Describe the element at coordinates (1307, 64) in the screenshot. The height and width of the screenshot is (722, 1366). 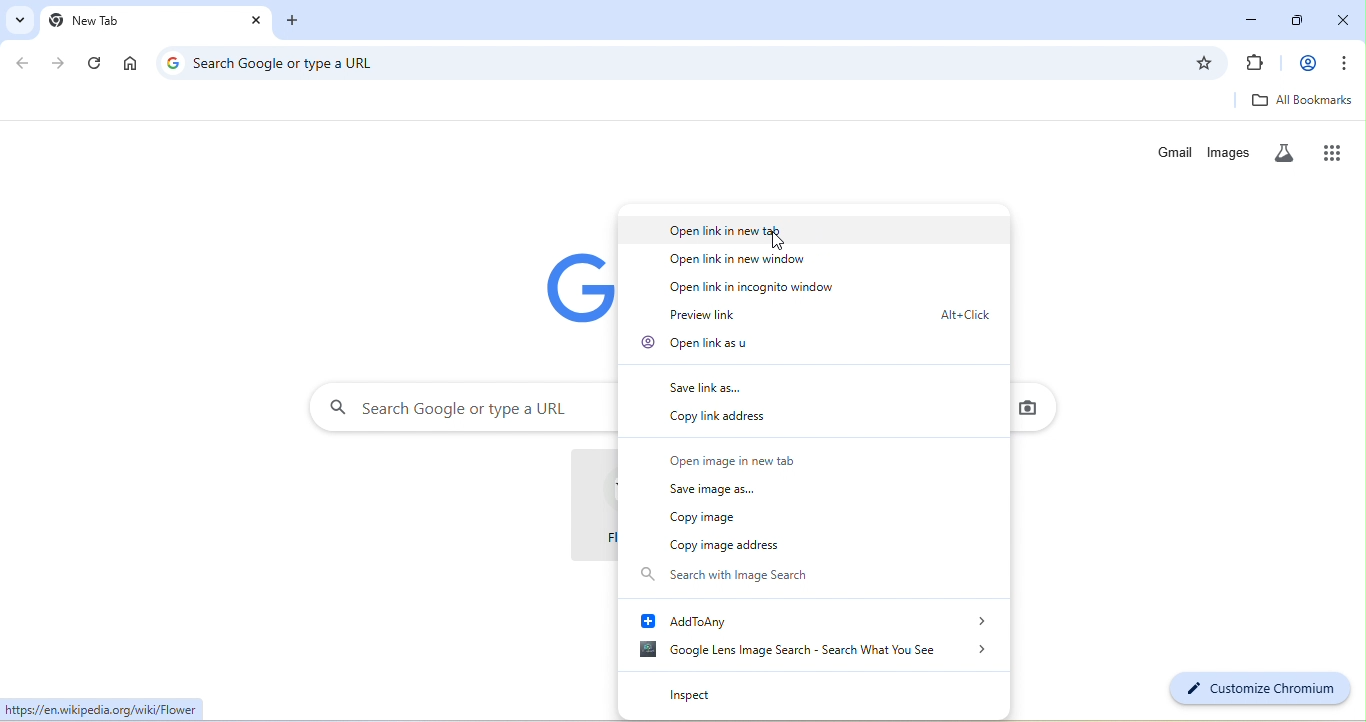
I see `person` at that location.